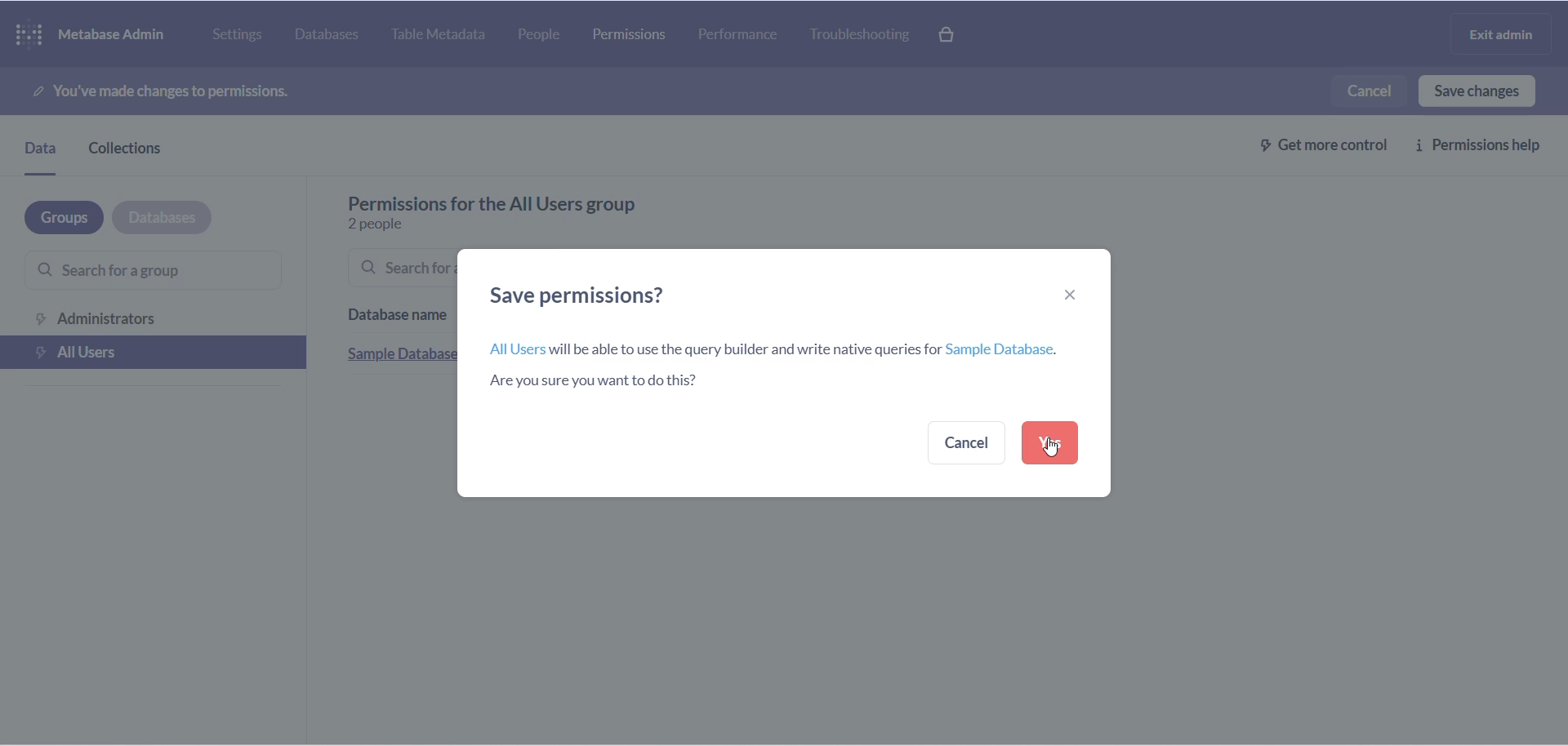 The image size is (1568, 746). What do you see at coordinates (630, 33) in the screenshot?
I see `permission` at bounding box center [630, 33].